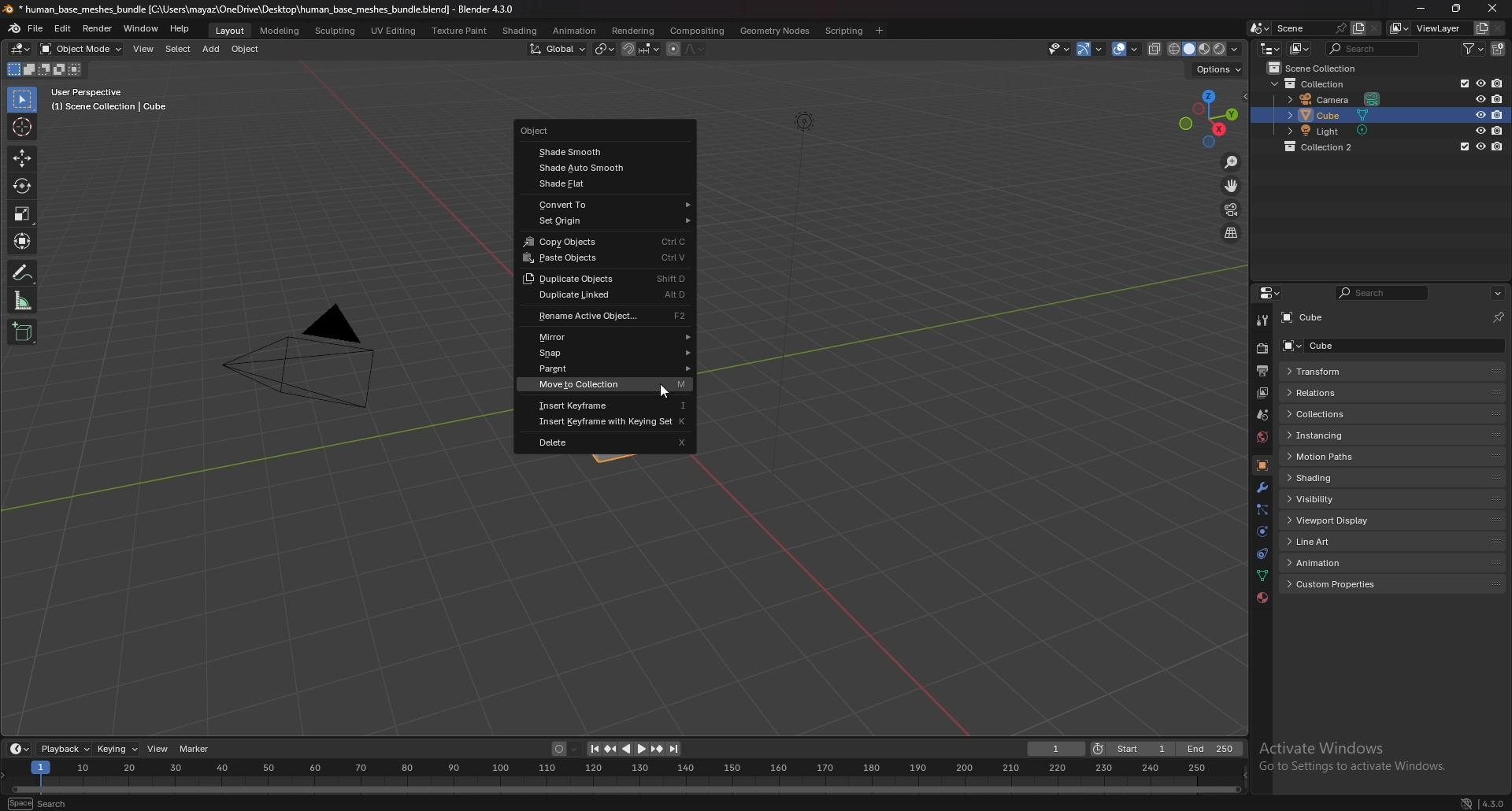 Image resolution: width=1512 pixels, height=811 pixels. Describe the element at coordinates (1340, 27) in the screenshot. I see `pin scene` at that location.